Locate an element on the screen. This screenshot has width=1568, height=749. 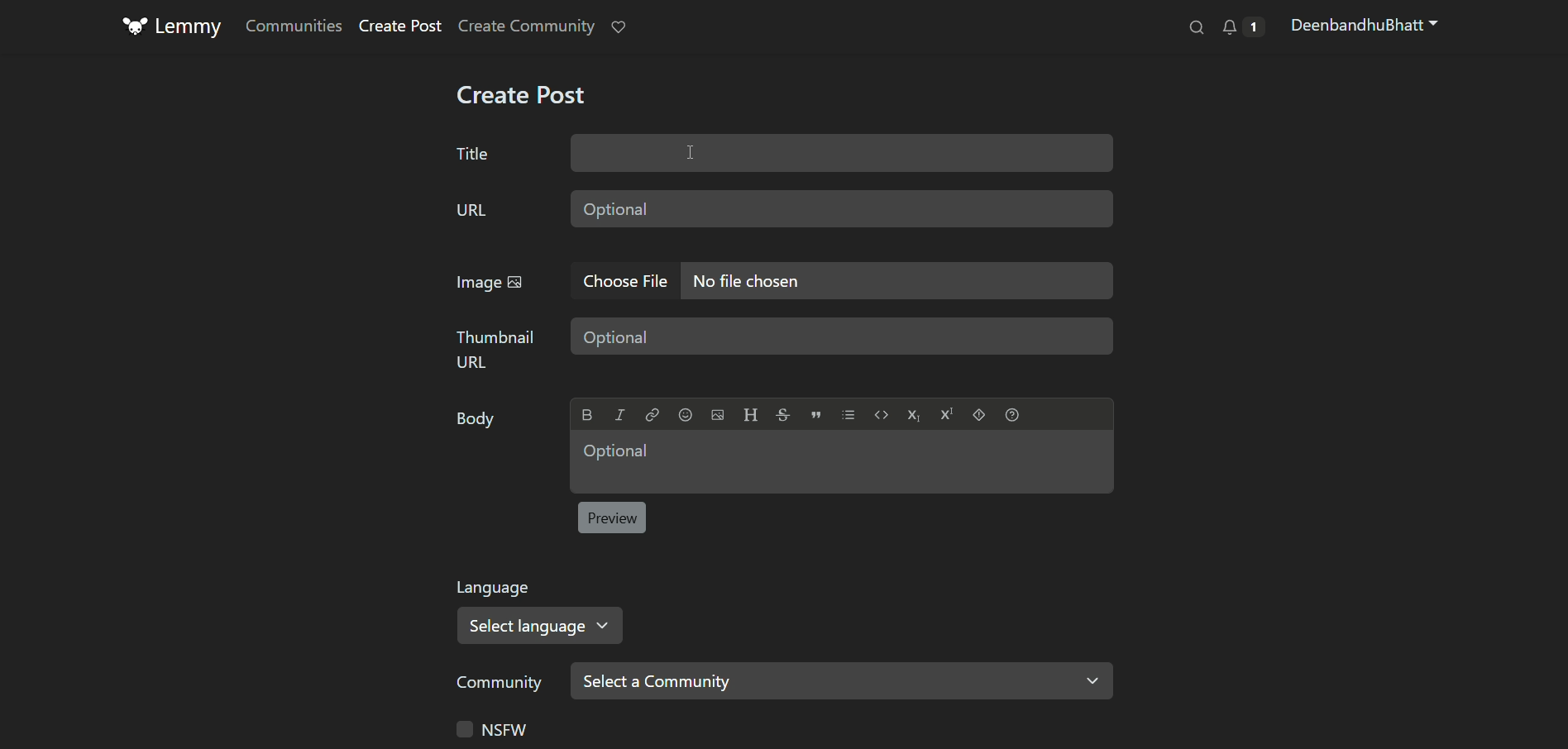
Cursor is located at coordinates (689, 152).